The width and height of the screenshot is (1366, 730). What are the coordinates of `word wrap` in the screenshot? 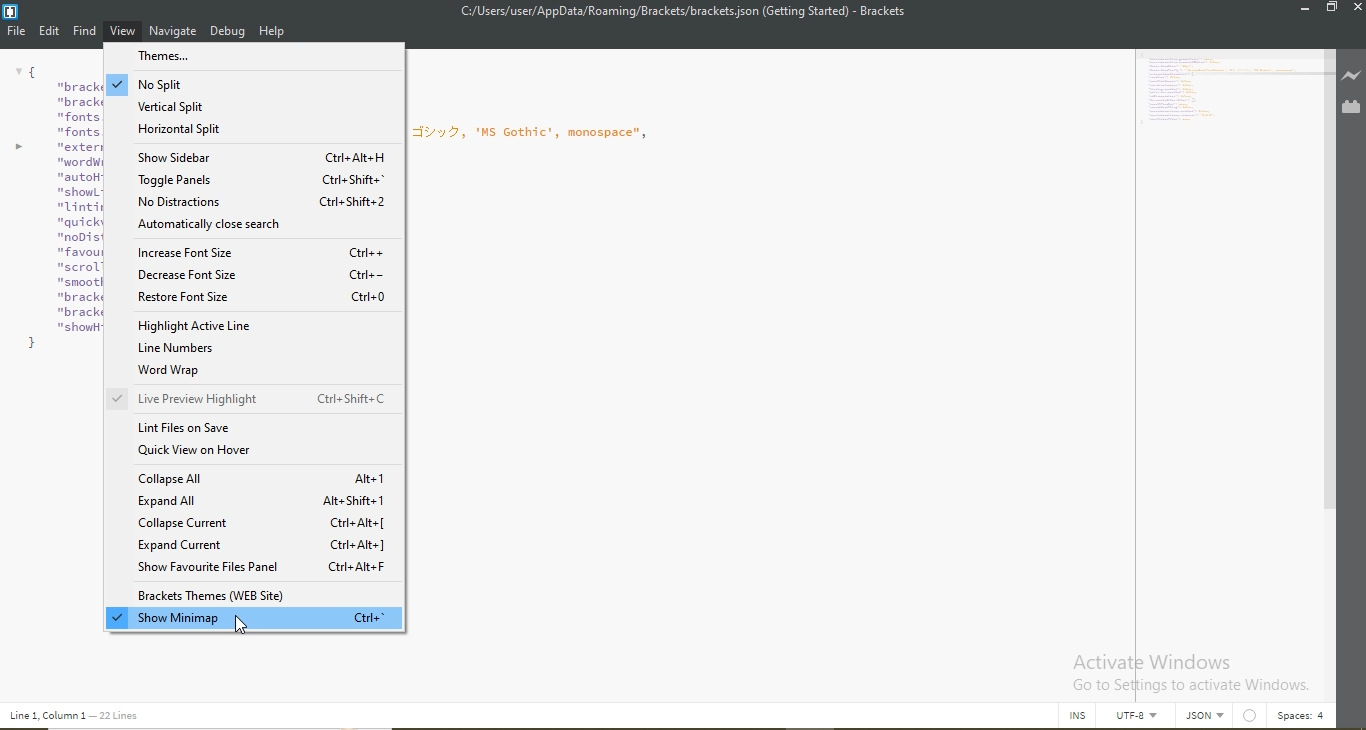 It's located at (256, 370).